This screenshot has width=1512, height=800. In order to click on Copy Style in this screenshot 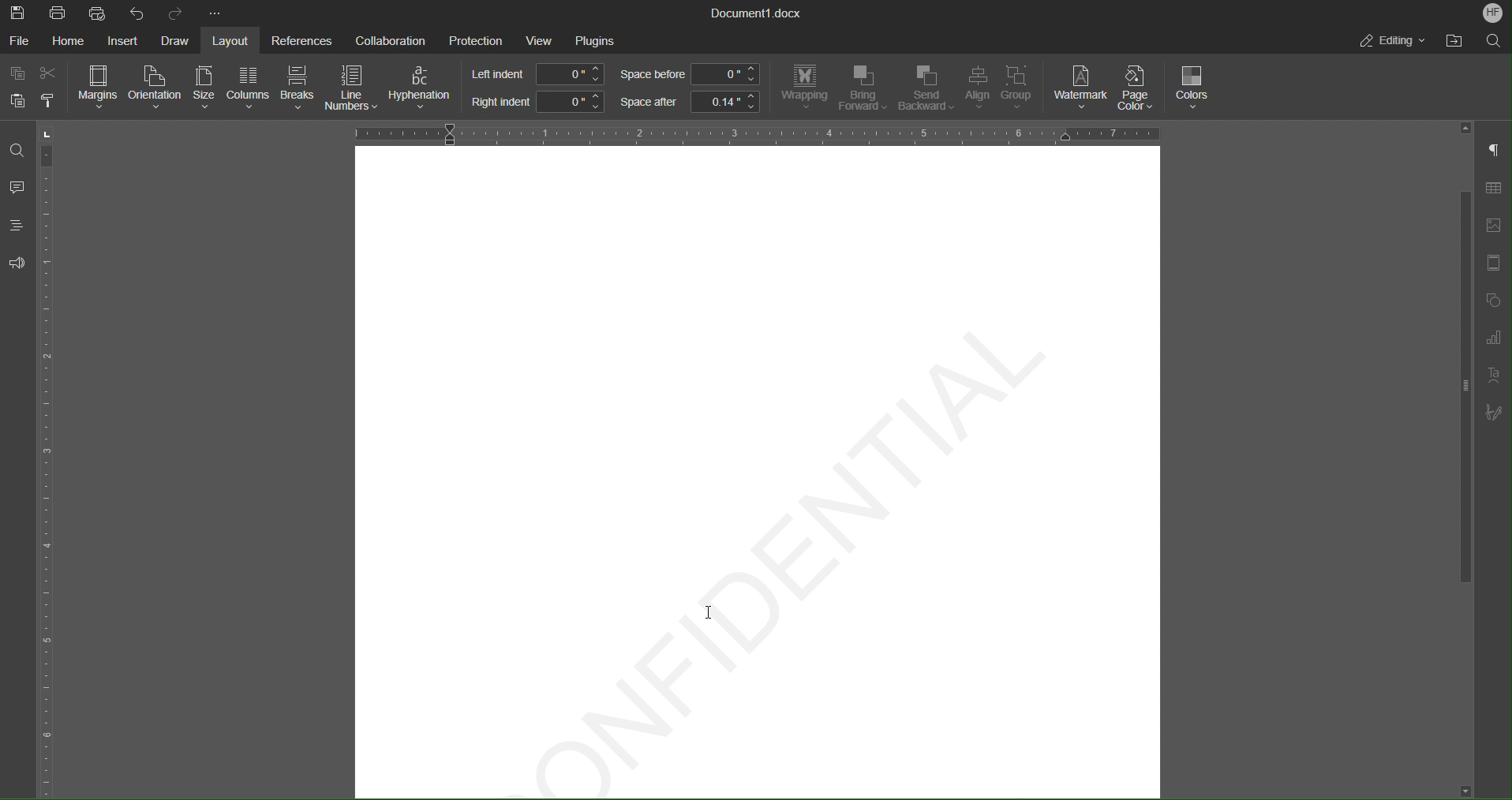, I will do `click(50, 101)`.